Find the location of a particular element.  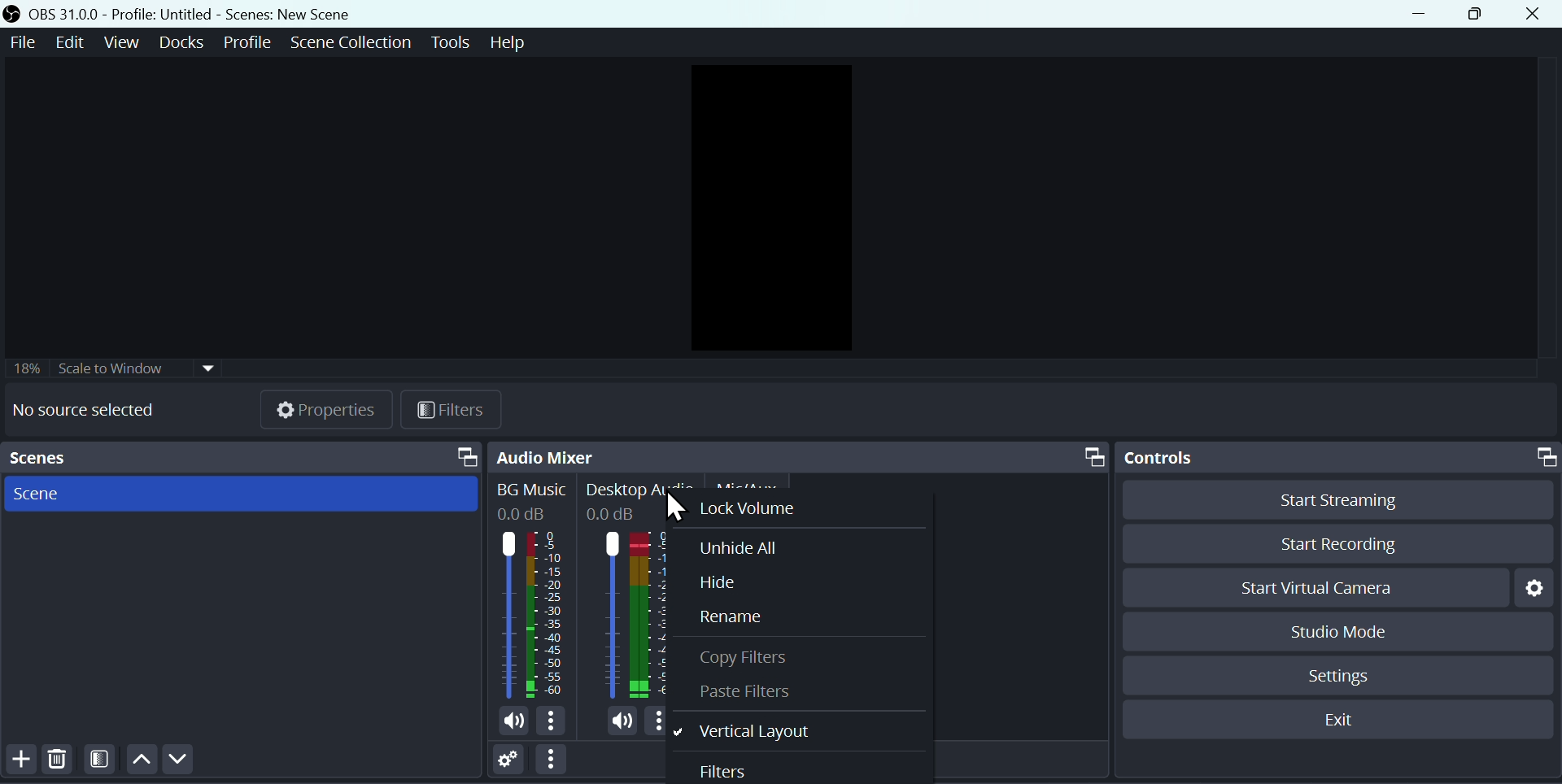

maximise is located at coordinates (1477, 15).